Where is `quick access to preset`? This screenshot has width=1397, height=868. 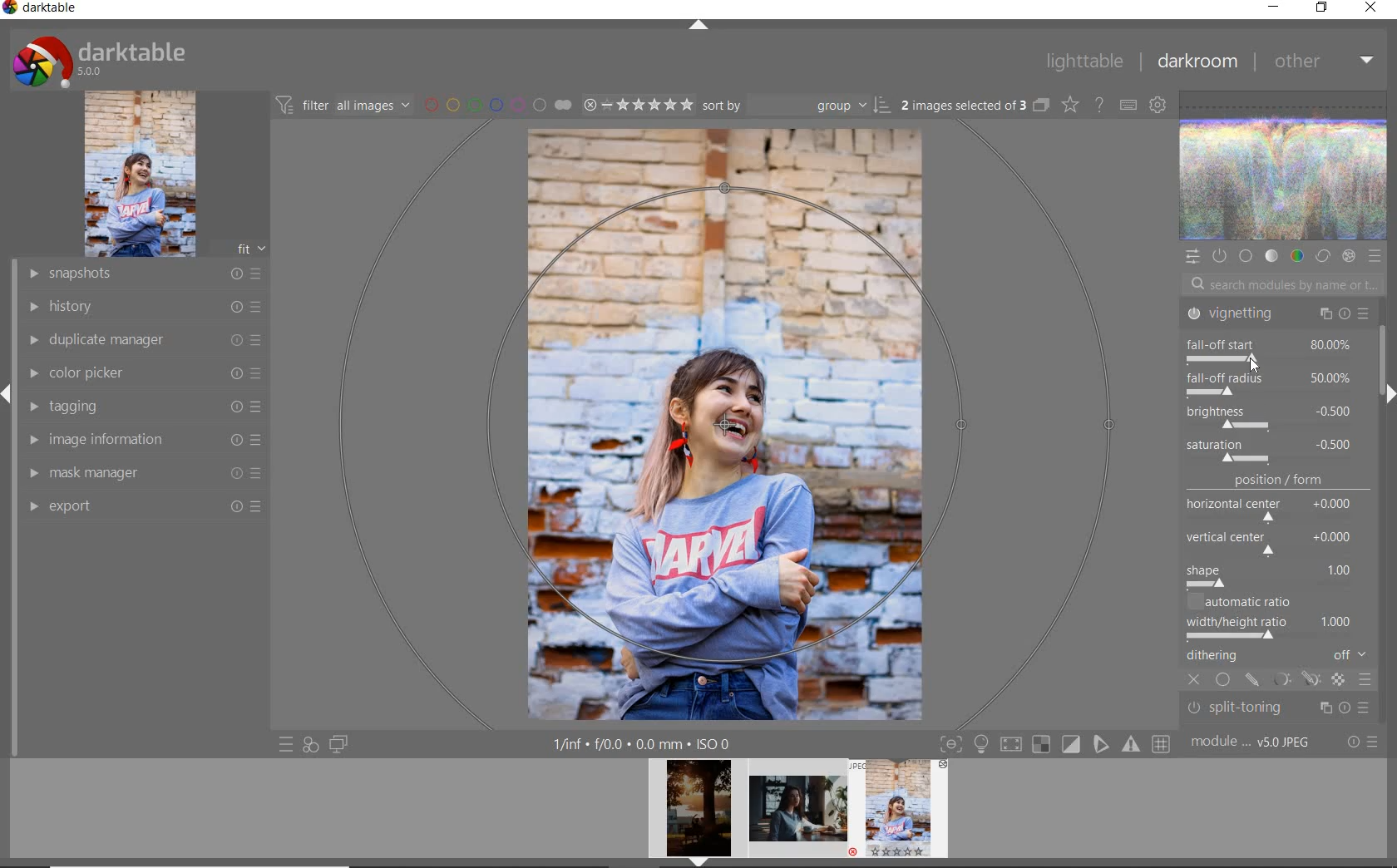
quick access to preset is located at coordinates (287, 745).